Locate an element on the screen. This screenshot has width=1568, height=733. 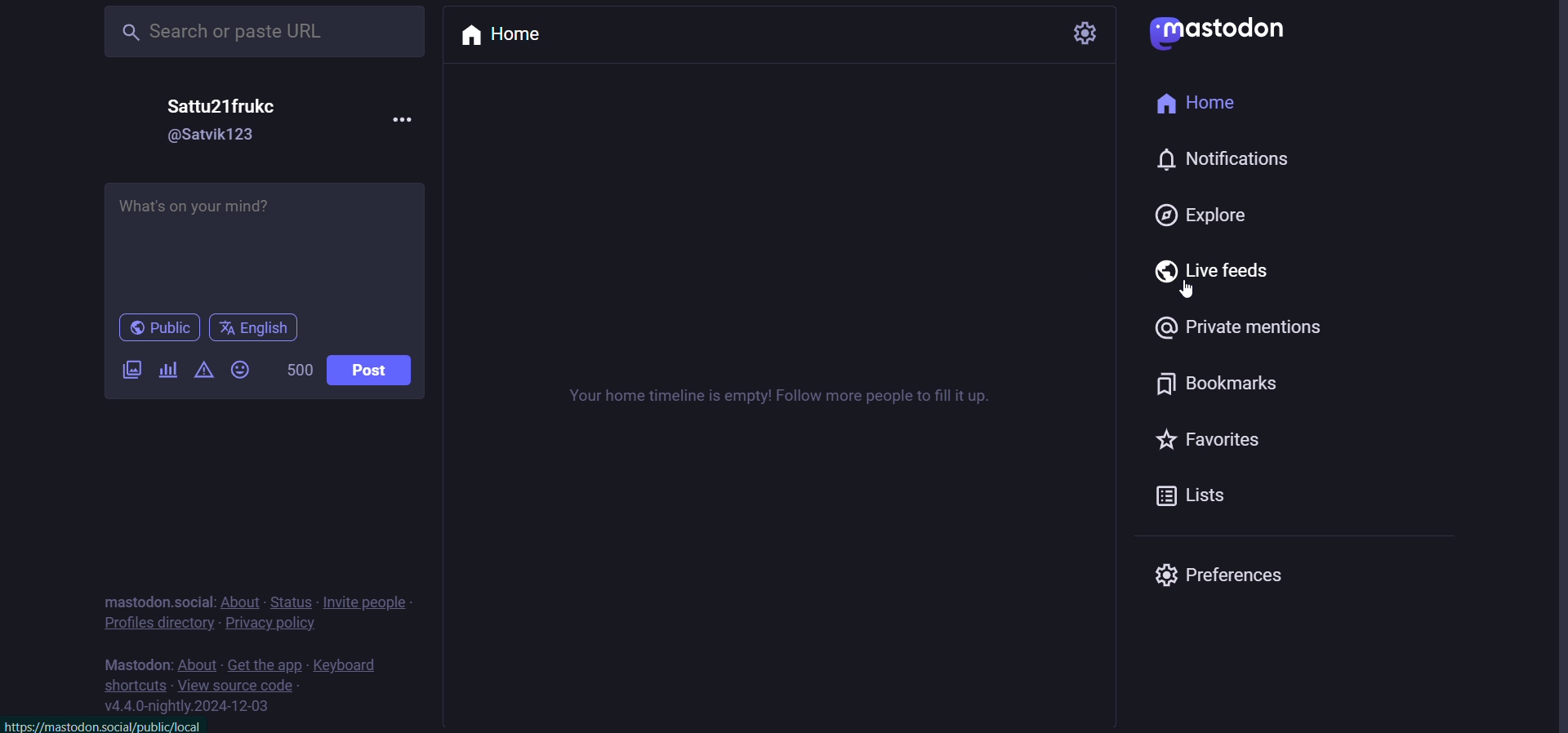
preferences is located at coordinates (1214, 571).